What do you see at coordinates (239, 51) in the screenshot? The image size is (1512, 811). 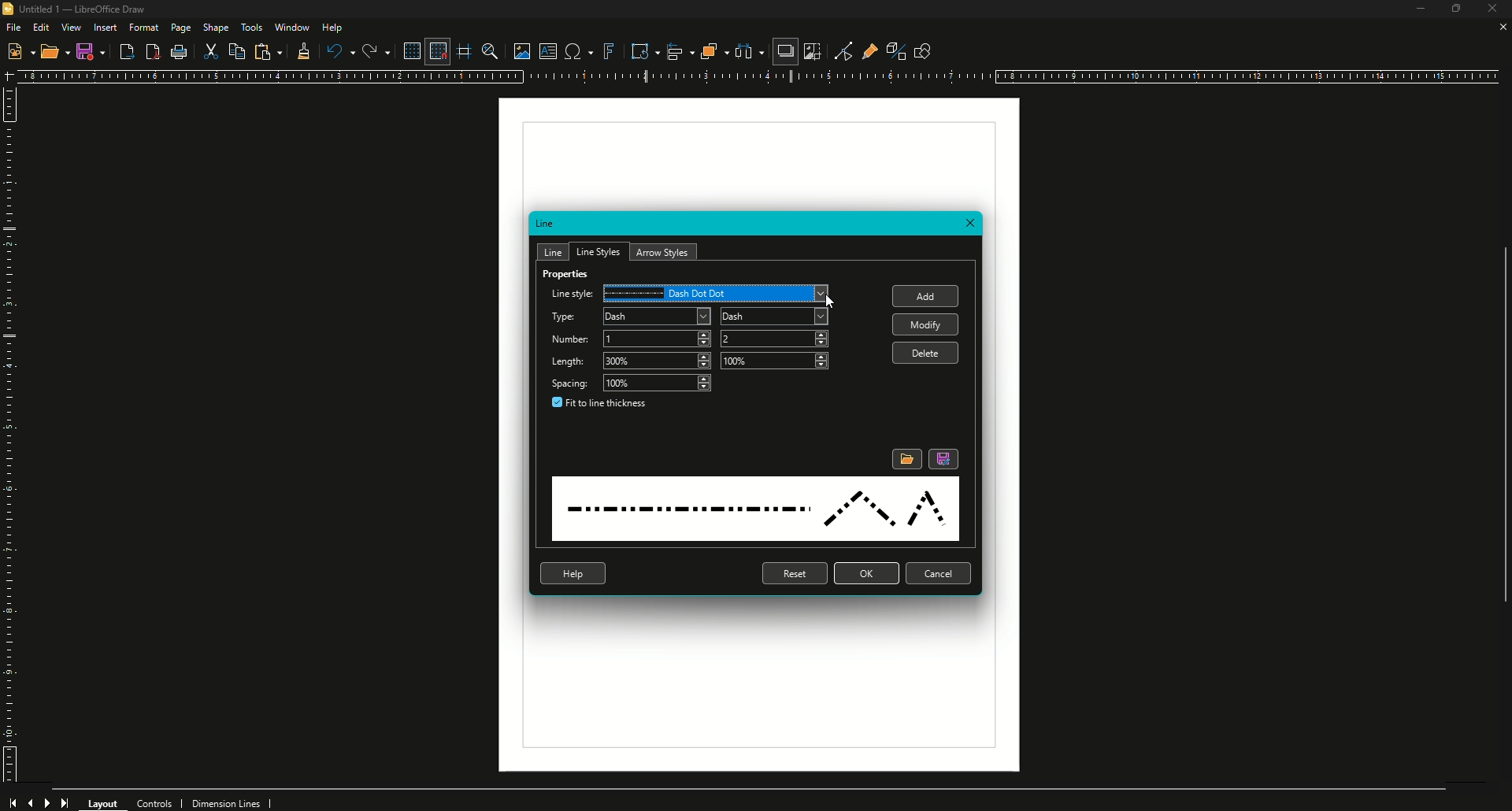 I see `Copy` at bounding box center [239, 51].